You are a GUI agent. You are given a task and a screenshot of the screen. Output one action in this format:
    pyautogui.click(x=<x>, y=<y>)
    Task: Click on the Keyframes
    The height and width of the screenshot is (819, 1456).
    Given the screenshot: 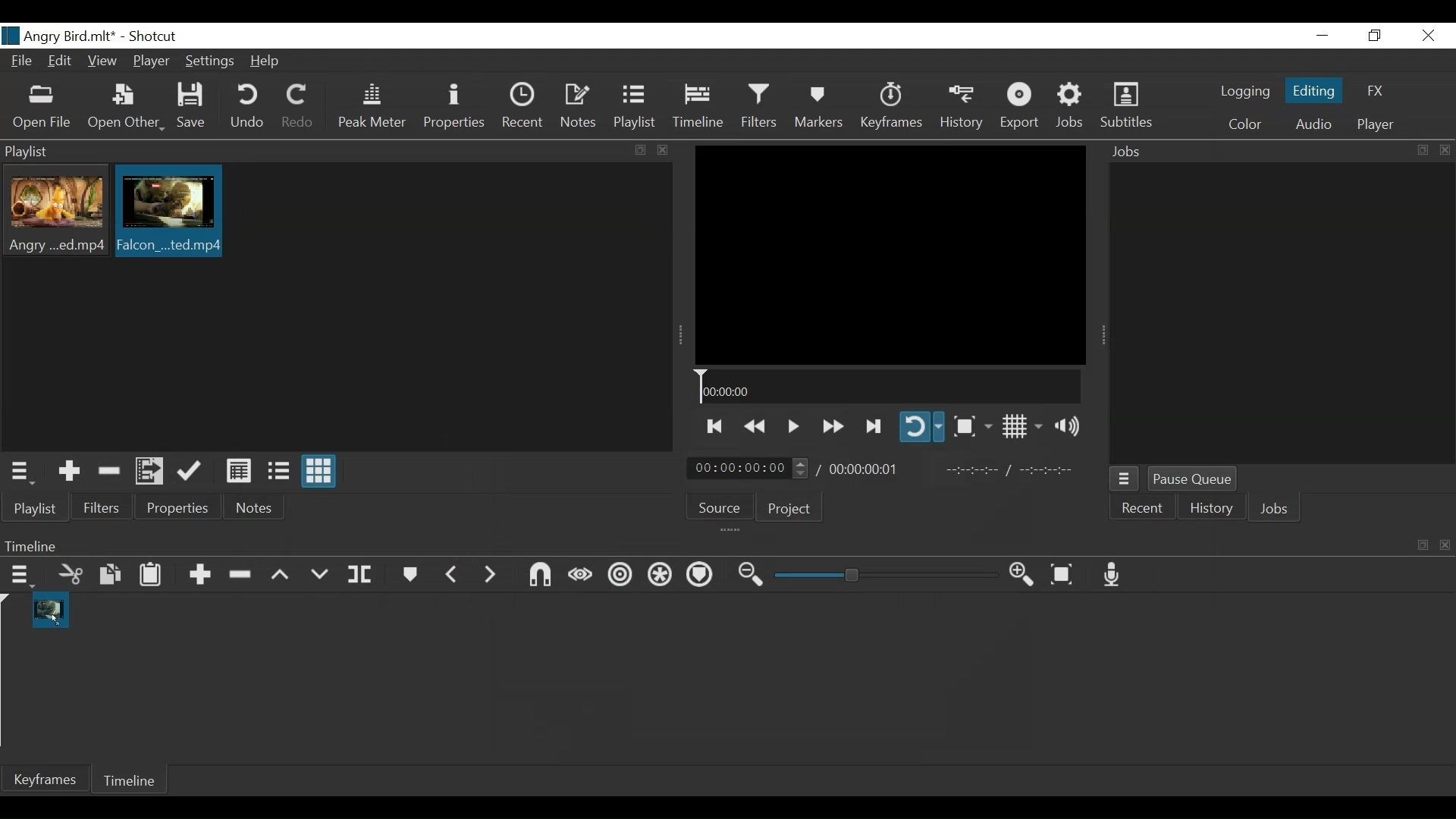 What is the action you would take?
    pyautogui.click(x=890, y=106)
    